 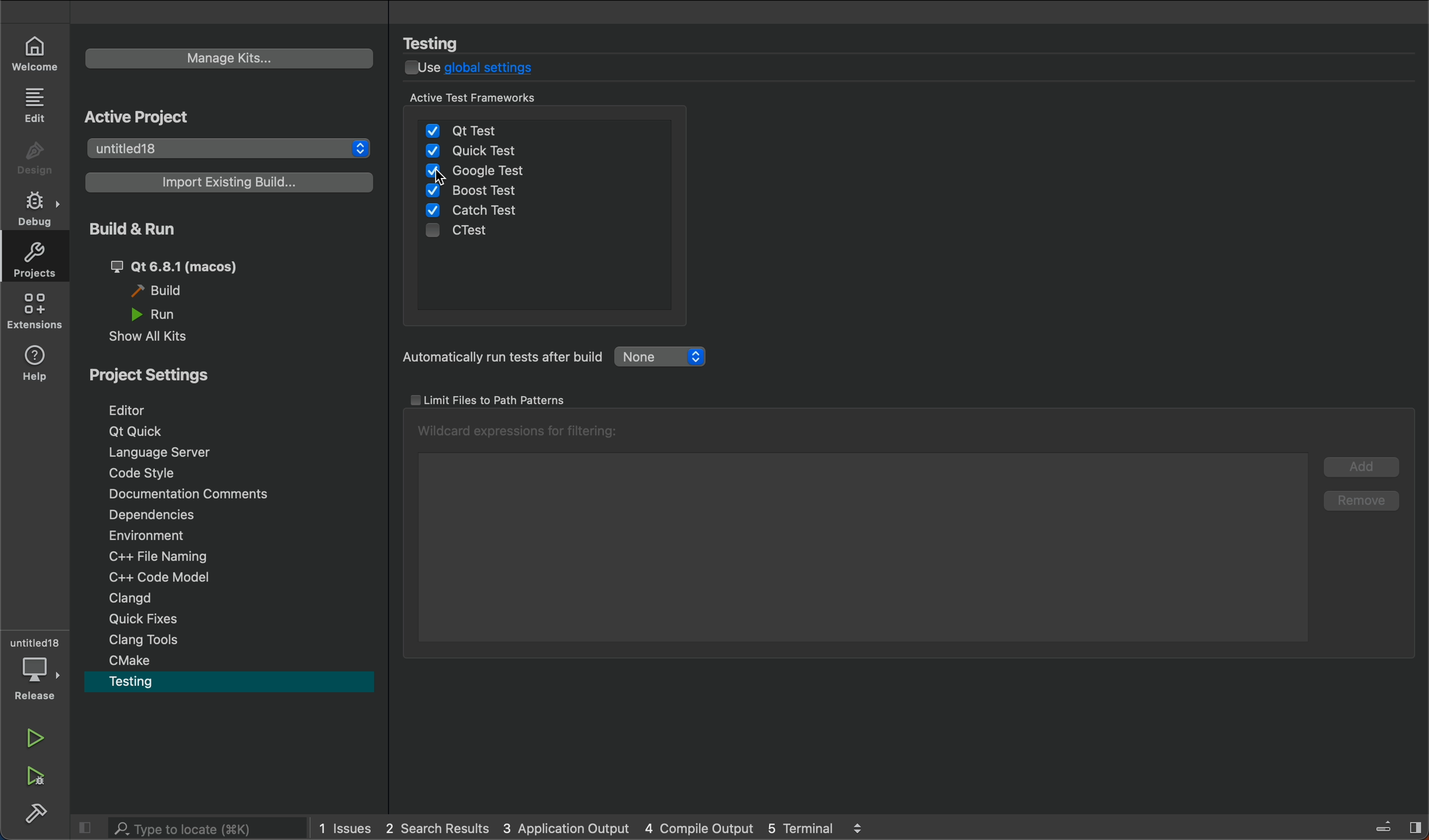 What do you see at coordinates (862, 546) in the screenshot?
I see `wilcard list` at bounding box center [862, 546].